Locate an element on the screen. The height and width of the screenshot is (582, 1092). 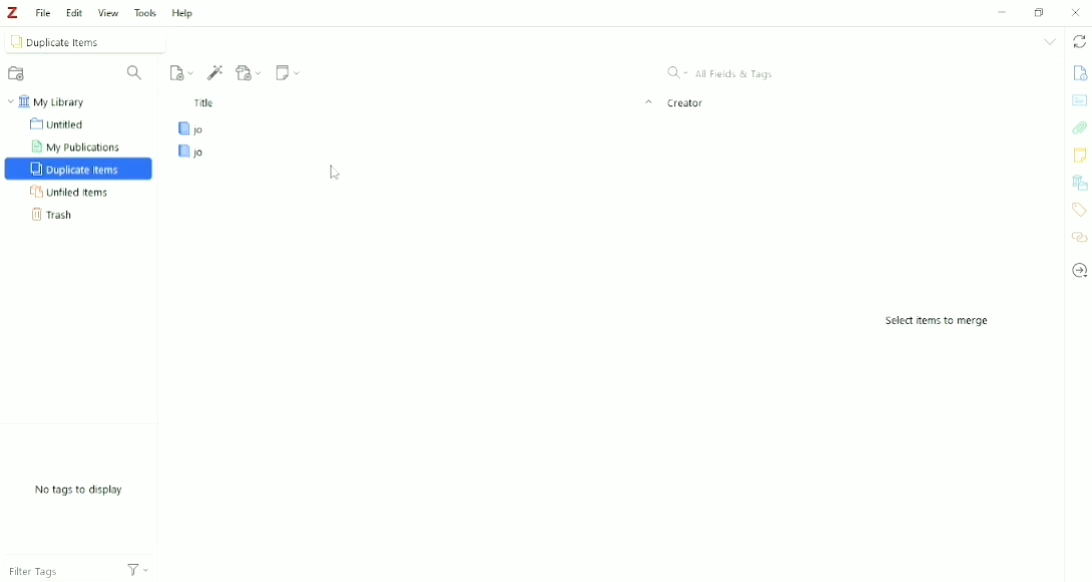
Minimize is located at coordinates (1001, 12).